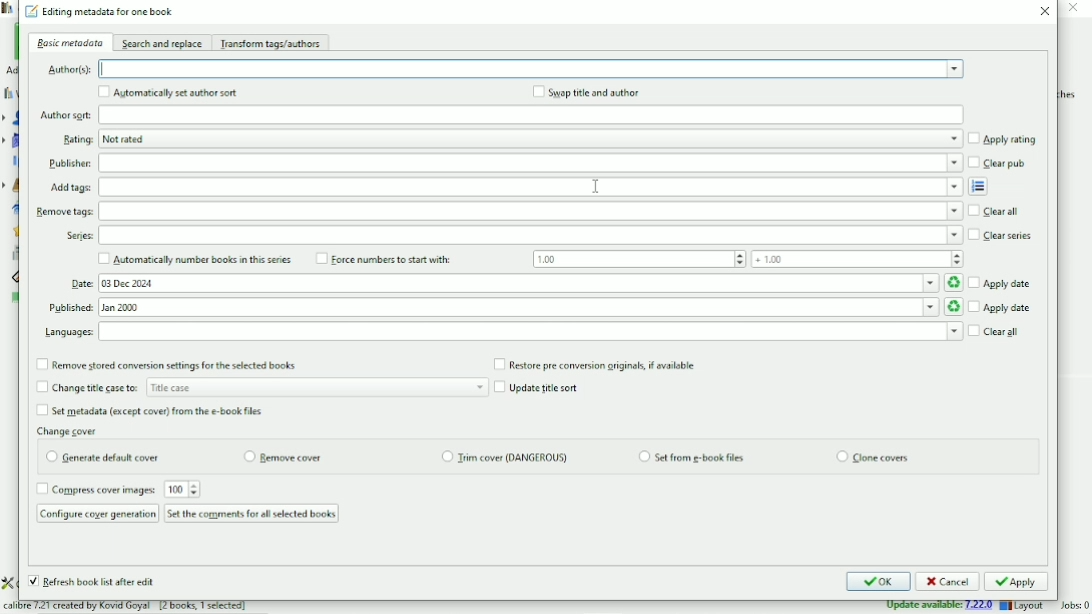 The image size is (1092, 614). What do you see at coordinates (100, 12) in the screenshot?
I see `Edit metadata for one book` at bounding box center [100, 12].